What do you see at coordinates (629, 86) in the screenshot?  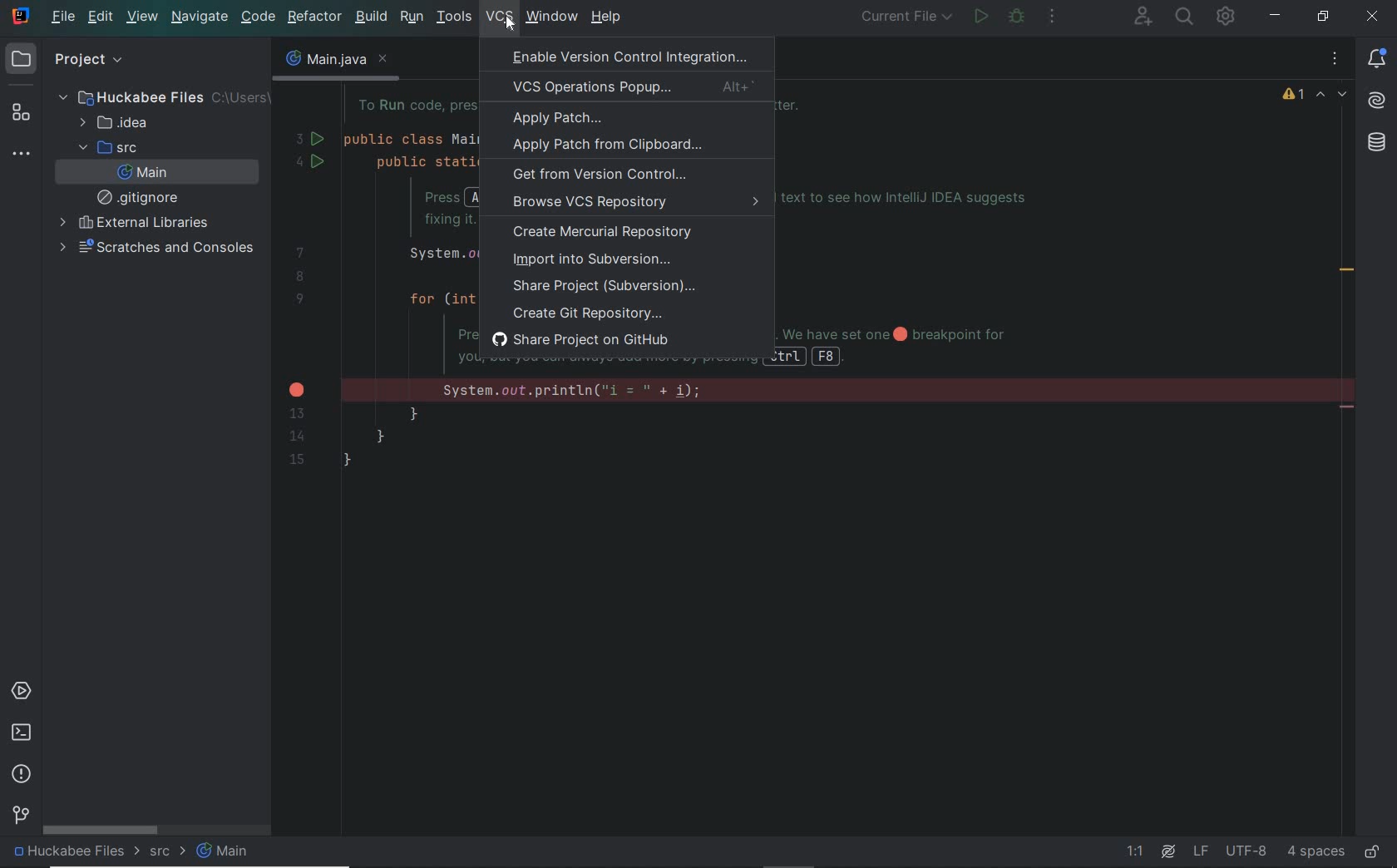 I see `vcs operations popup` at bounding box center [629, 86].